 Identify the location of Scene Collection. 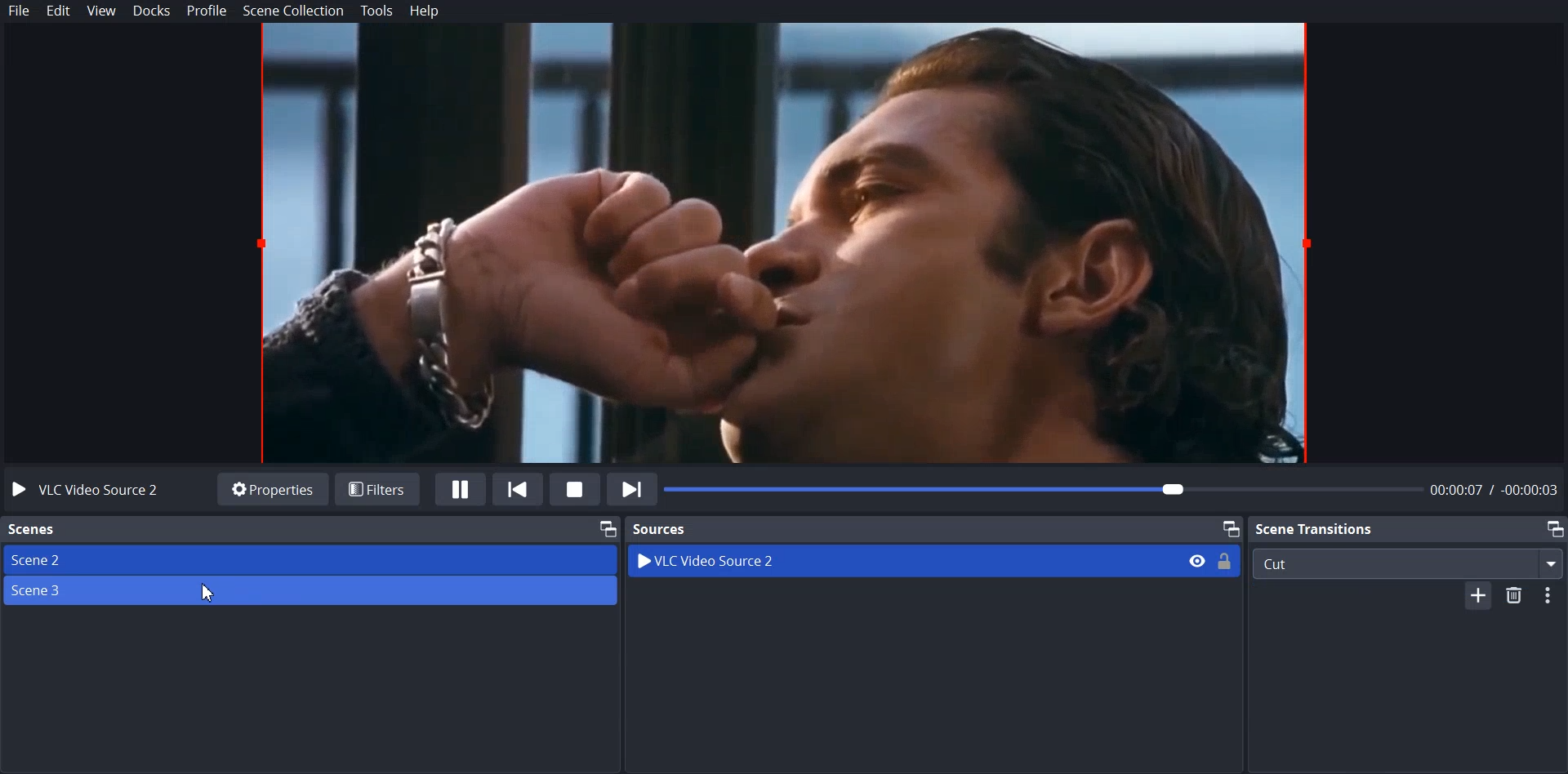
(295, 11).